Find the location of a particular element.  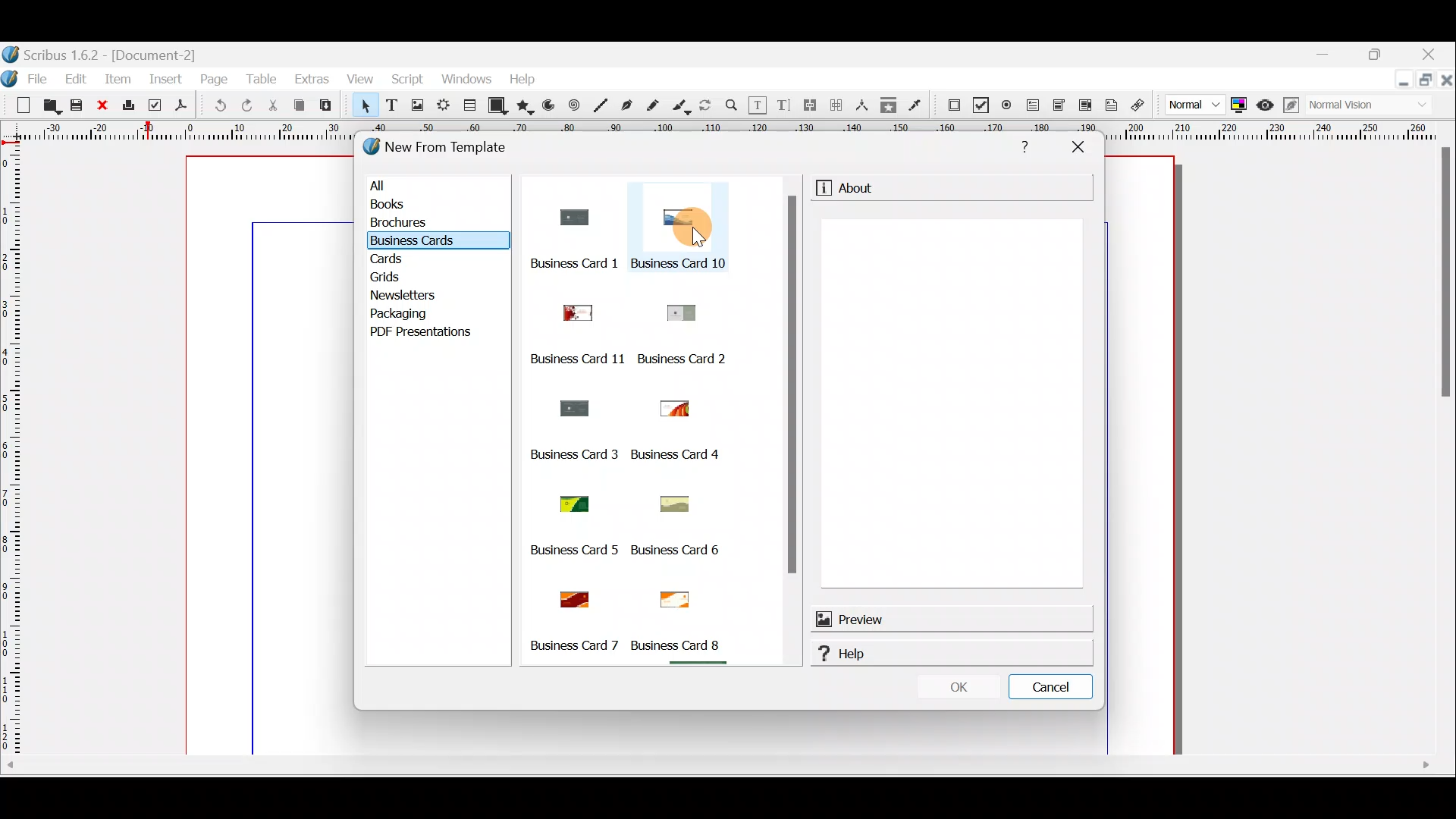

Shape is located at coordinates (498, 107).